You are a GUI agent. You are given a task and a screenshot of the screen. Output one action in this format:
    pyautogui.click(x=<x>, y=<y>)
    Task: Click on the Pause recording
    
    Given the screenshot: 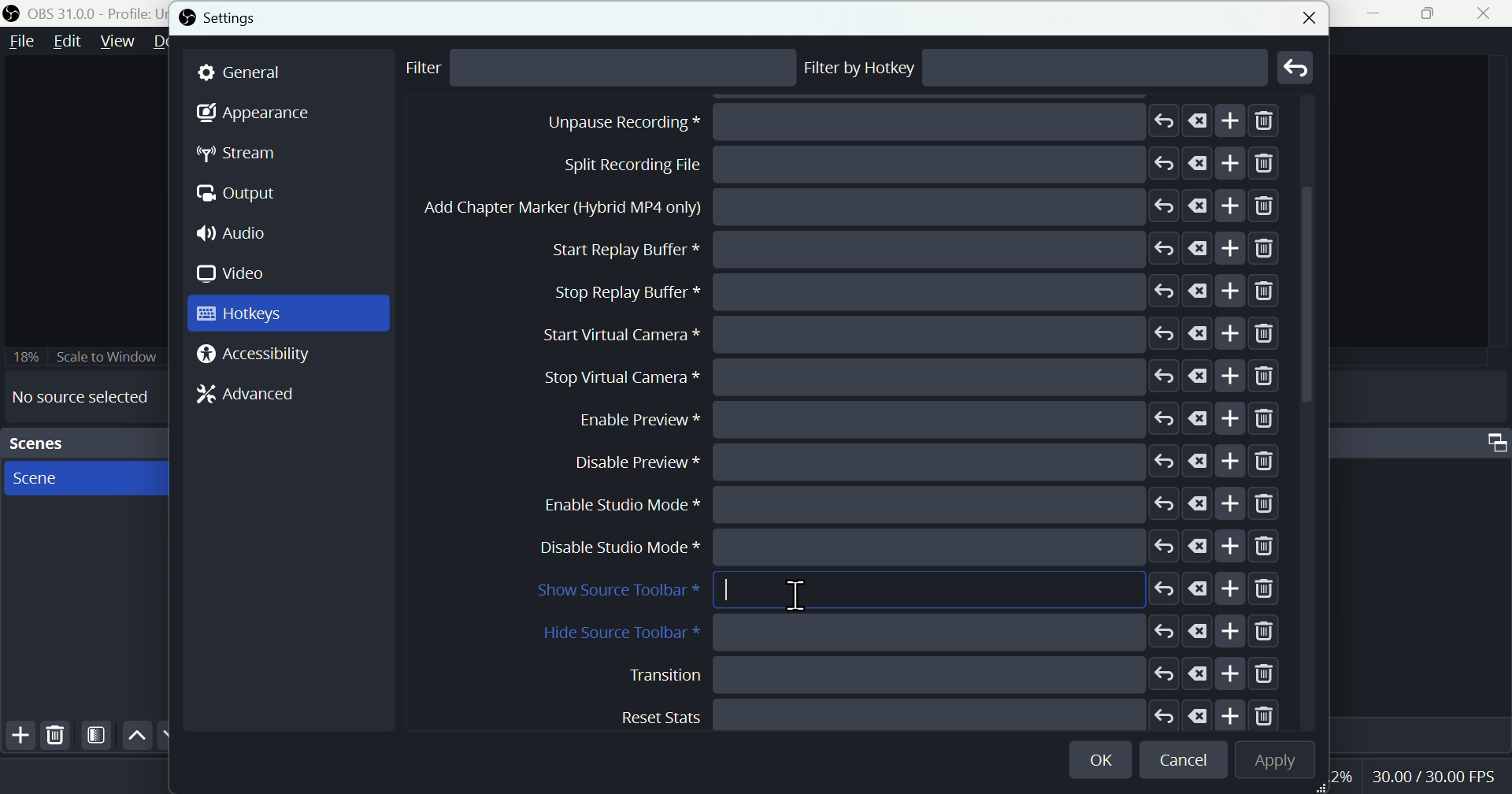 What is the action you would take?
    pyautogui.click(x=905, y=249)
    